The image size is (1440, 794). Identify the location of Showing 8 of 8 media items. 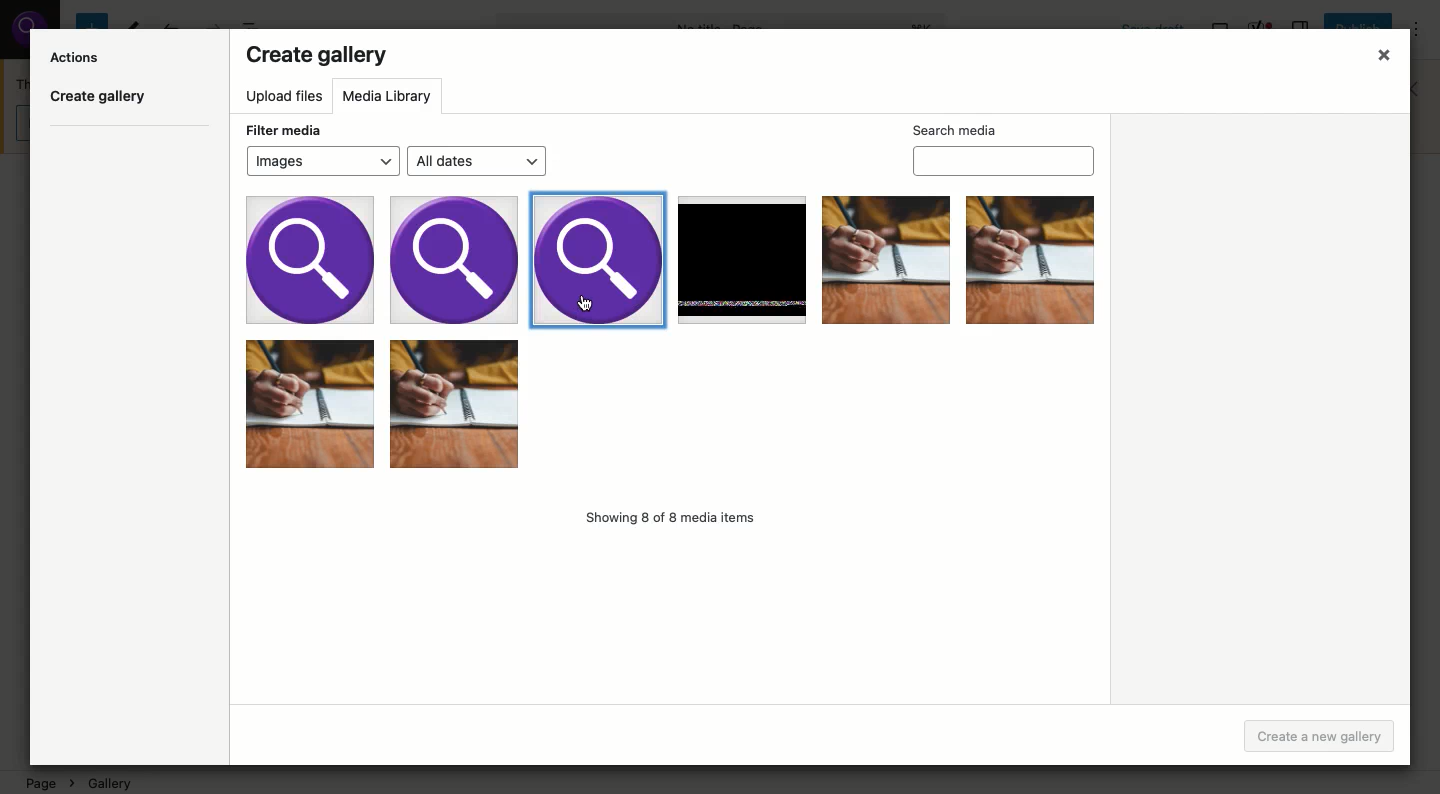
(675, 520).